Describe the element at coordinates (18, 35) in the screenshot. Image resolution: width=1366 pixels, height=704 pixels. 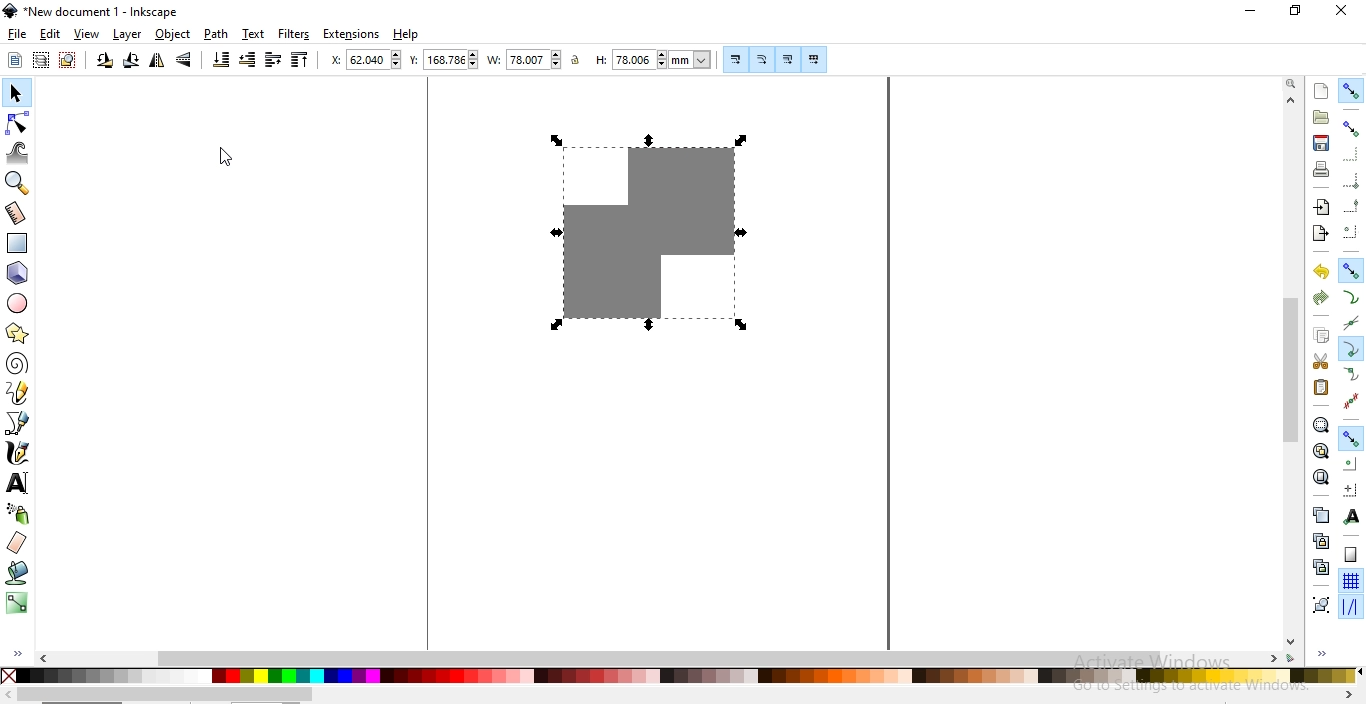
I see `file` at that location.